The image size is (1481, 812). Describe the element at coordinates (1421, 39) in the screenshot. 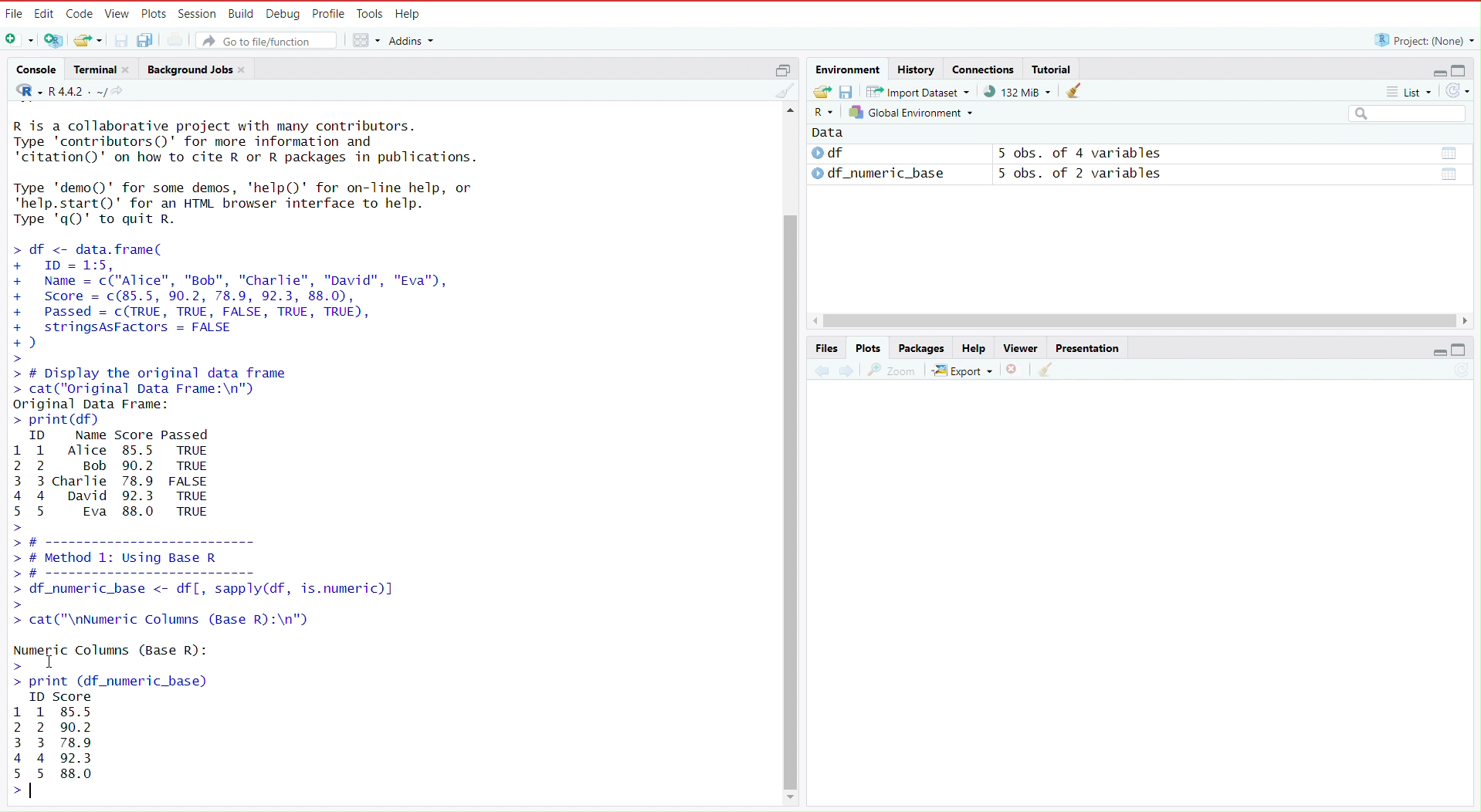

I see `Project: (None)` at that location.